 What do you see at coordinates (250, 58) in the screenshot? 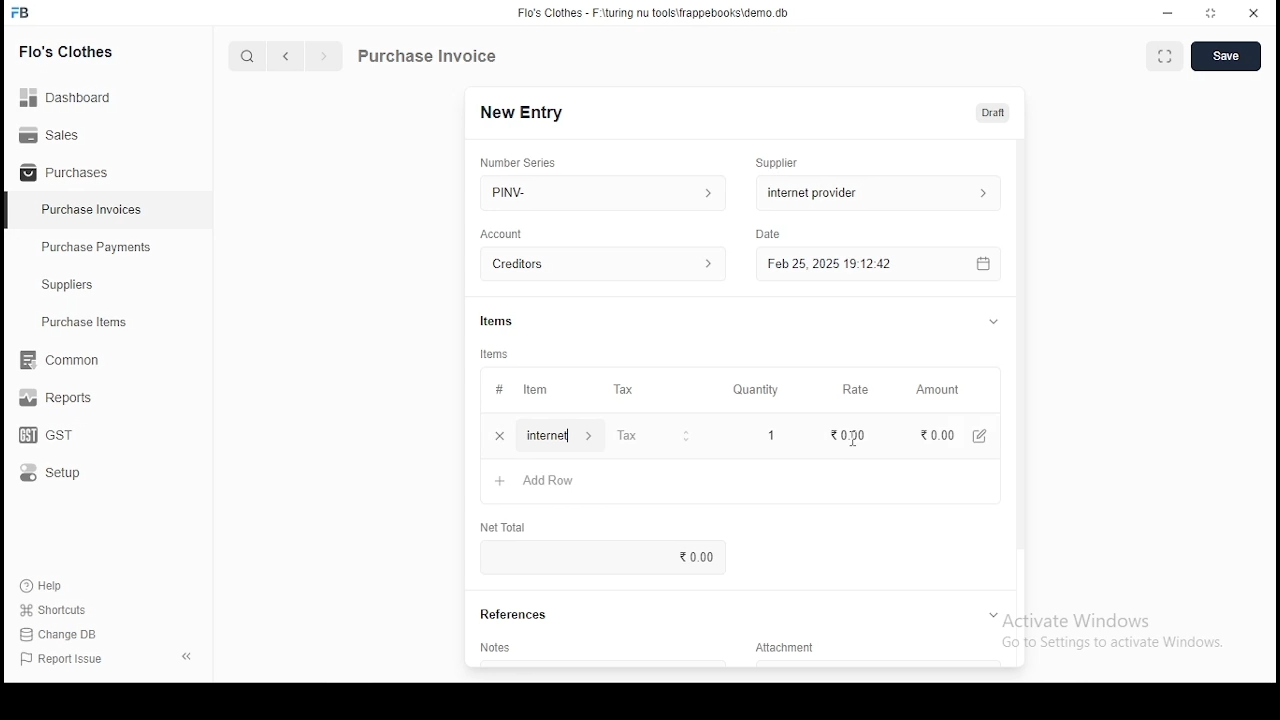
I see `search` at bounding box center [250, 58].